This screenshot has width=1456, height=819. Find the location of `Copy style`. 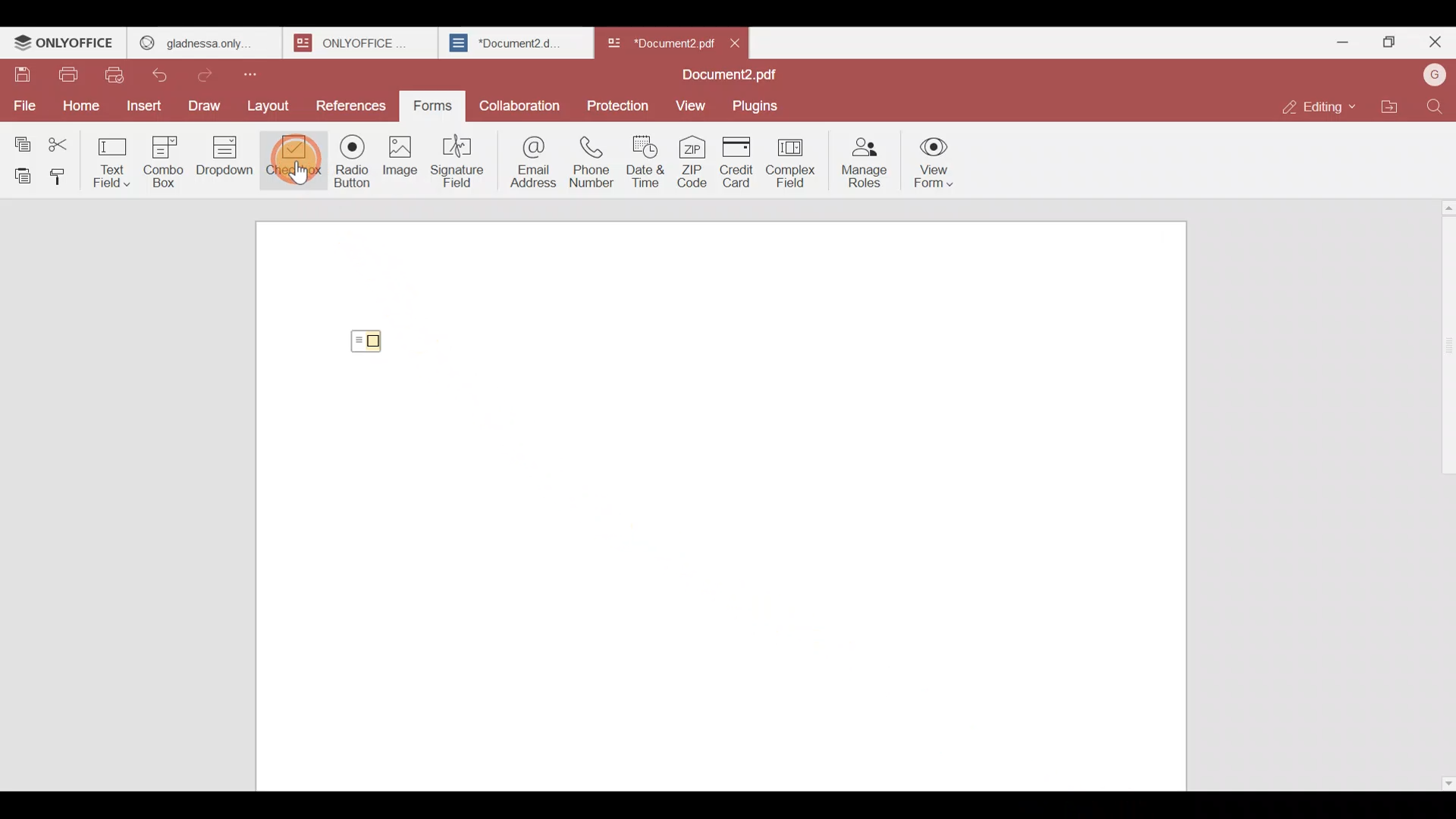

Copy style is located at coordinates (64, 173).